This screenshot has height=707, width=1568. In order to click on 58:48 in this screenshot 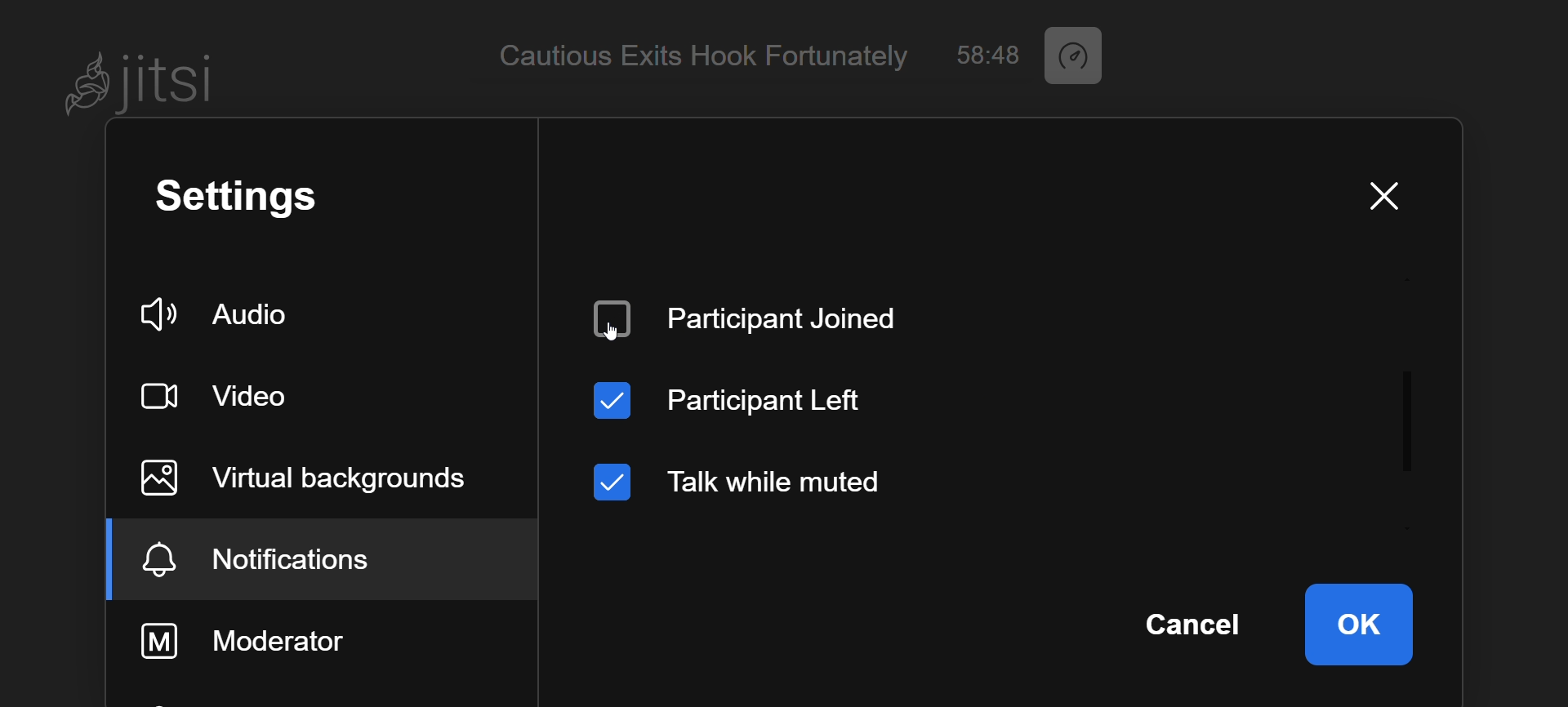, I will do `click(978, 52)`.